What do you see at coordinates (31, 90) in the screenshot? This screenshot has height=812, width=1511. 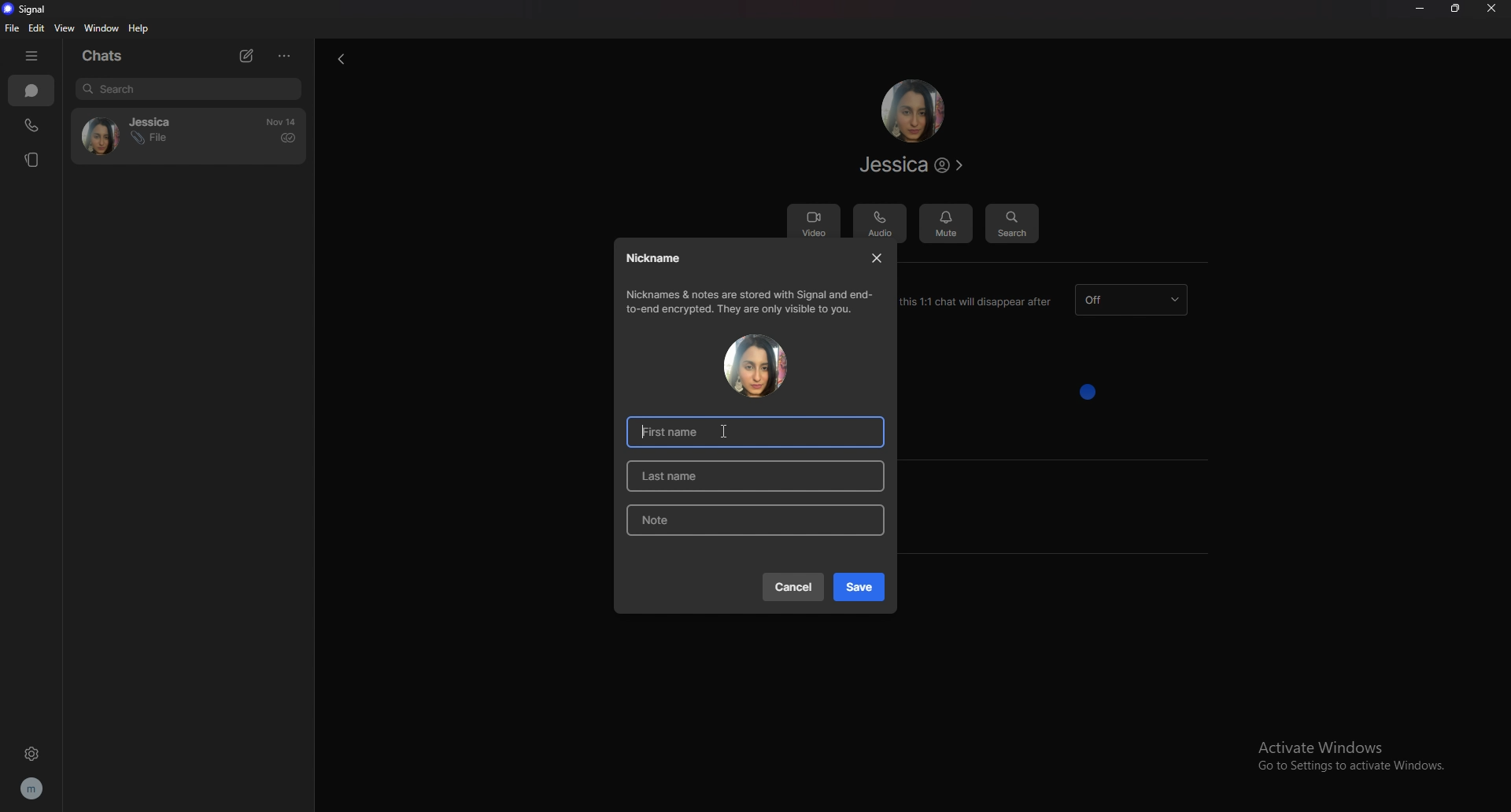 I see `chats` at bounding box center [31, 90].